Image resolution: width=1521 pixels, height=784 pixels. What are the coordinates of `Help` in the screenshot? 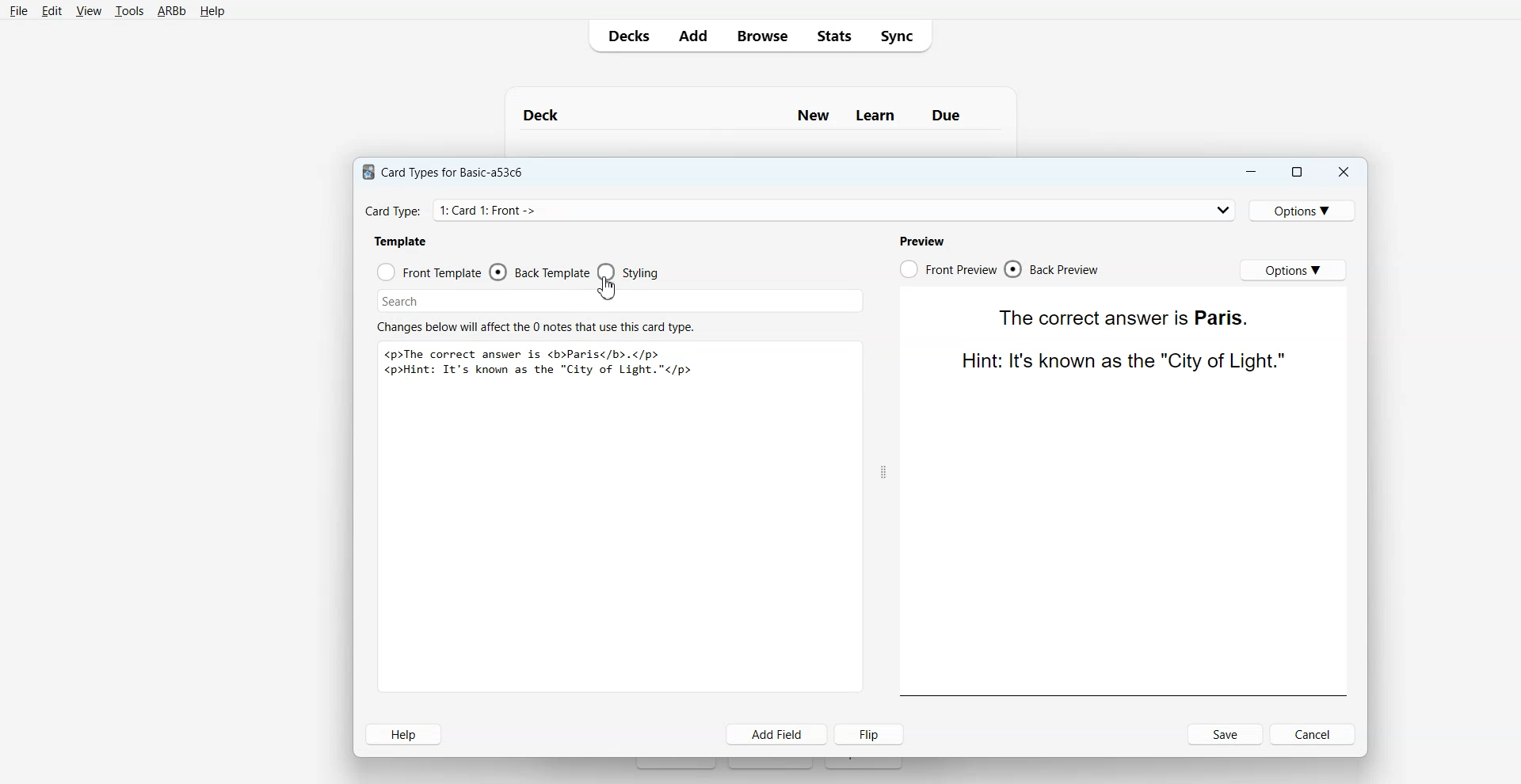 It's located at (403, 734).